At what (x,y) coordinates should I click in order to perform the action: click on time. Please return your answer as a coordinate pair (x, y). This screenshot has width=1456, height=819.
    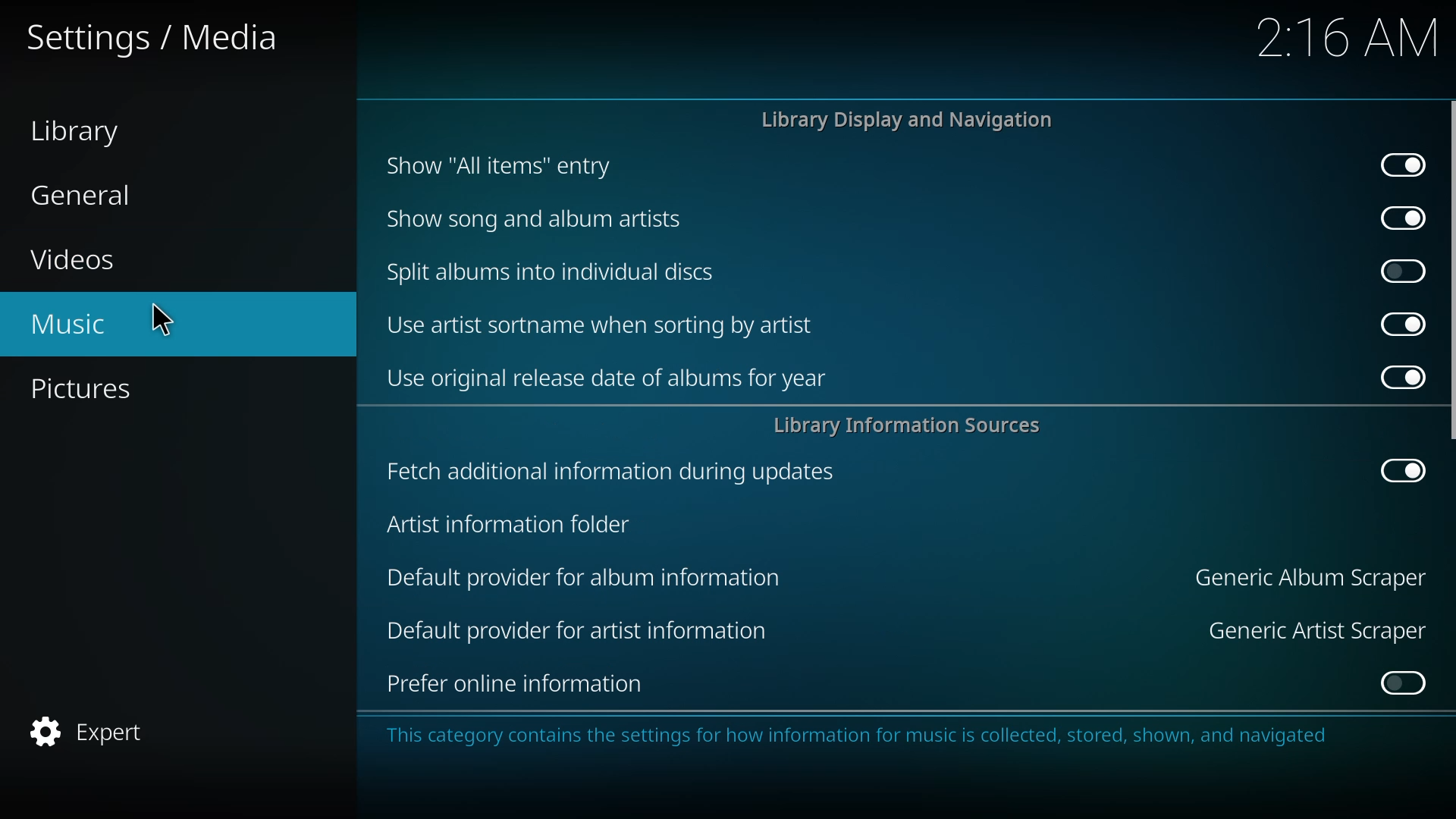
    Looking at the image, I should click on (1352, 36).